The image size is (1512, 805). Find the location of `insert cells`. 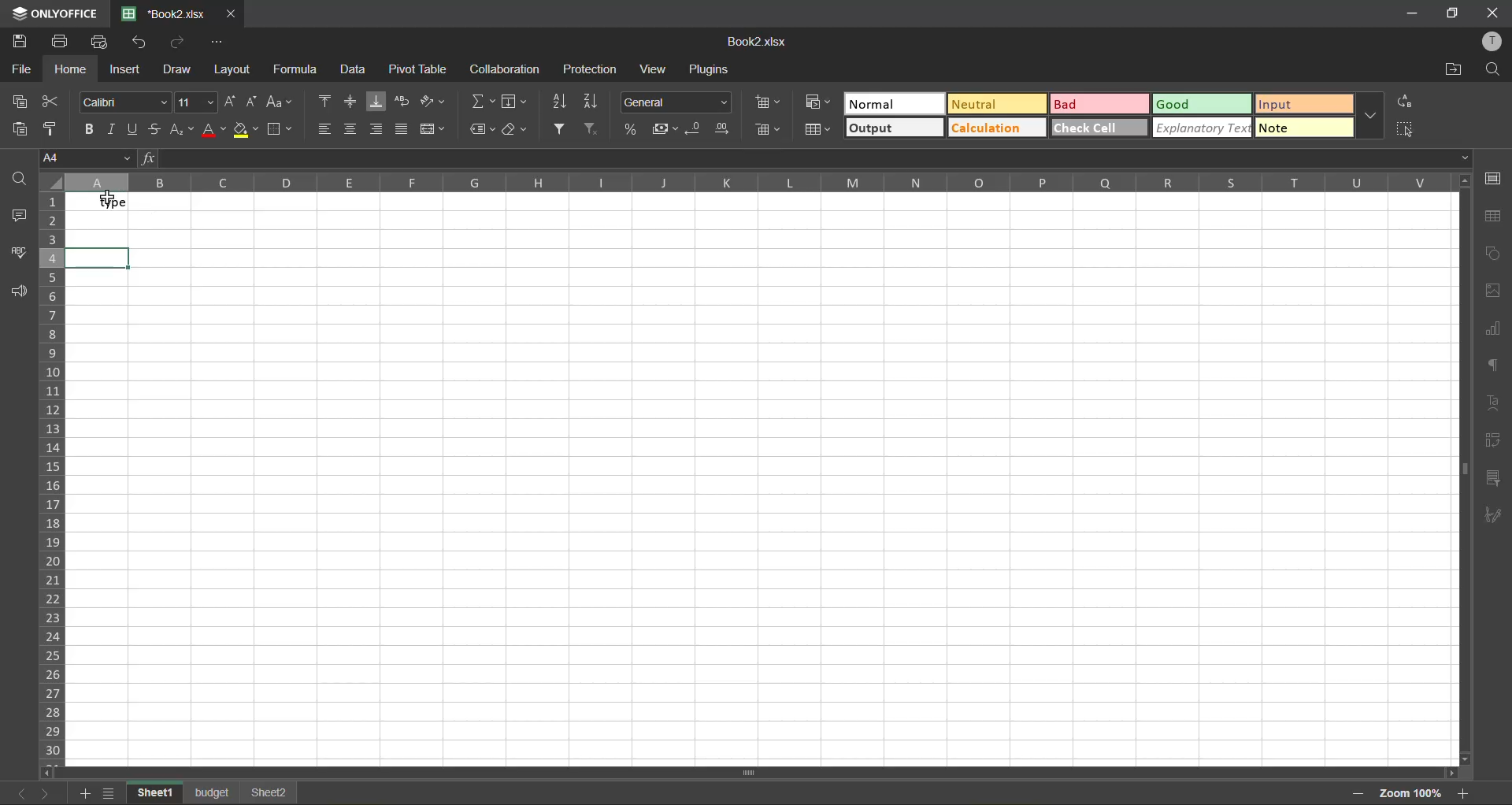

insert cells is located at coordinates (772, 102).